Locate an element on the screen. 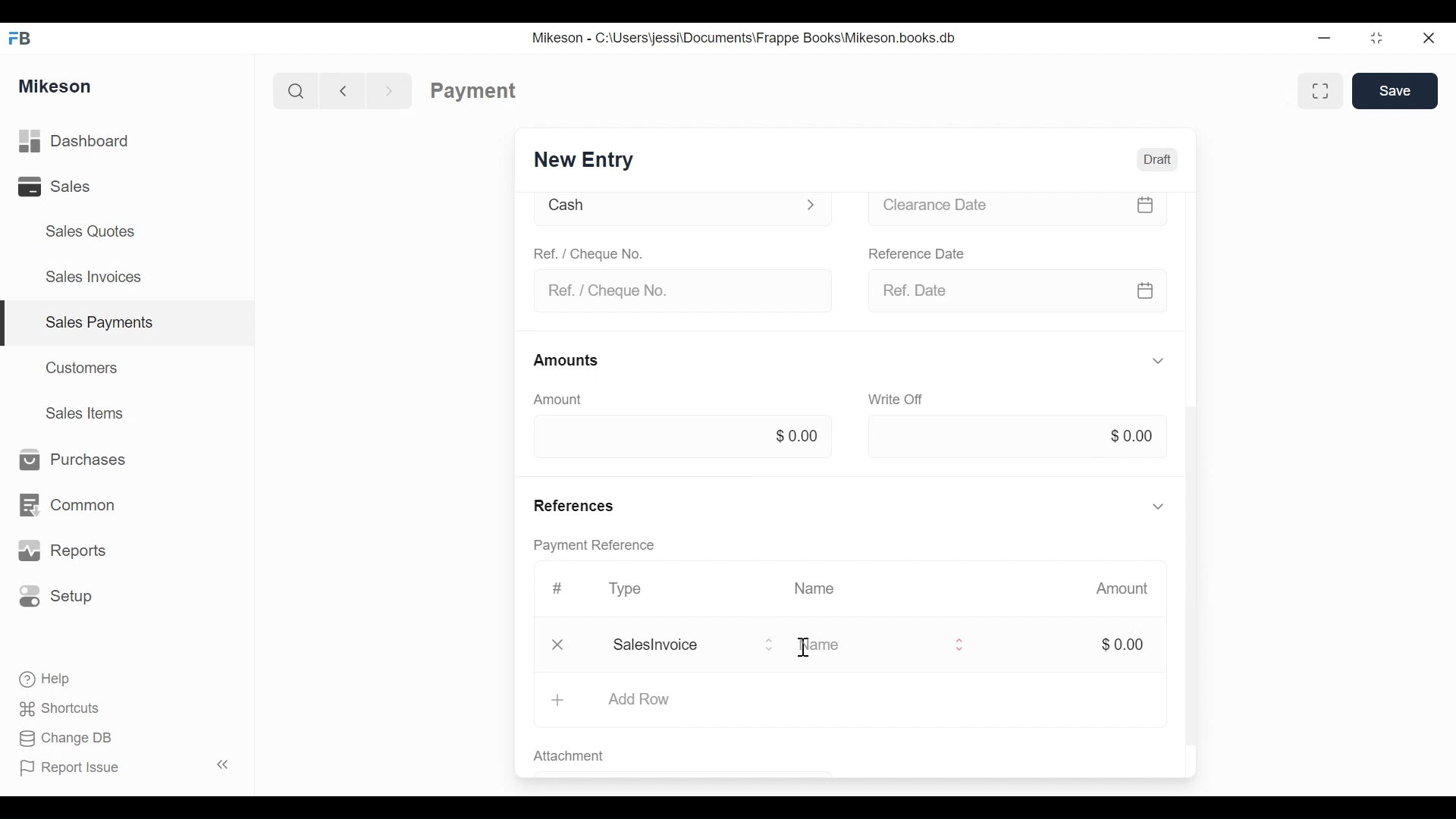 The width and height of the screenshot is (1456, 819). Report Issue is located at coordinates (77, 768).